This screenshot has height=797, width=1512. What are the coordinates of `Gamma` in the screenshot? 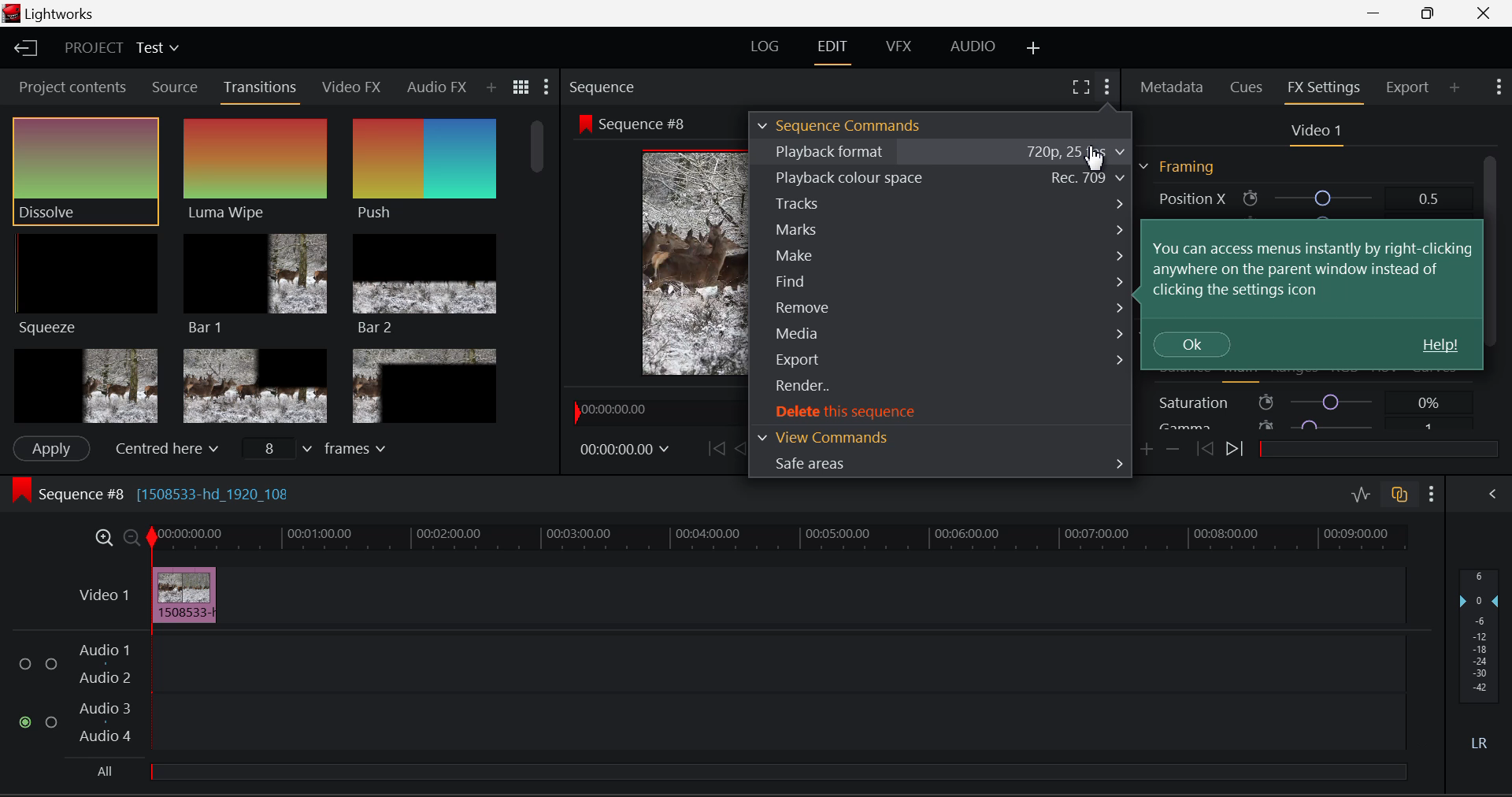 It's located at (1301, 427).